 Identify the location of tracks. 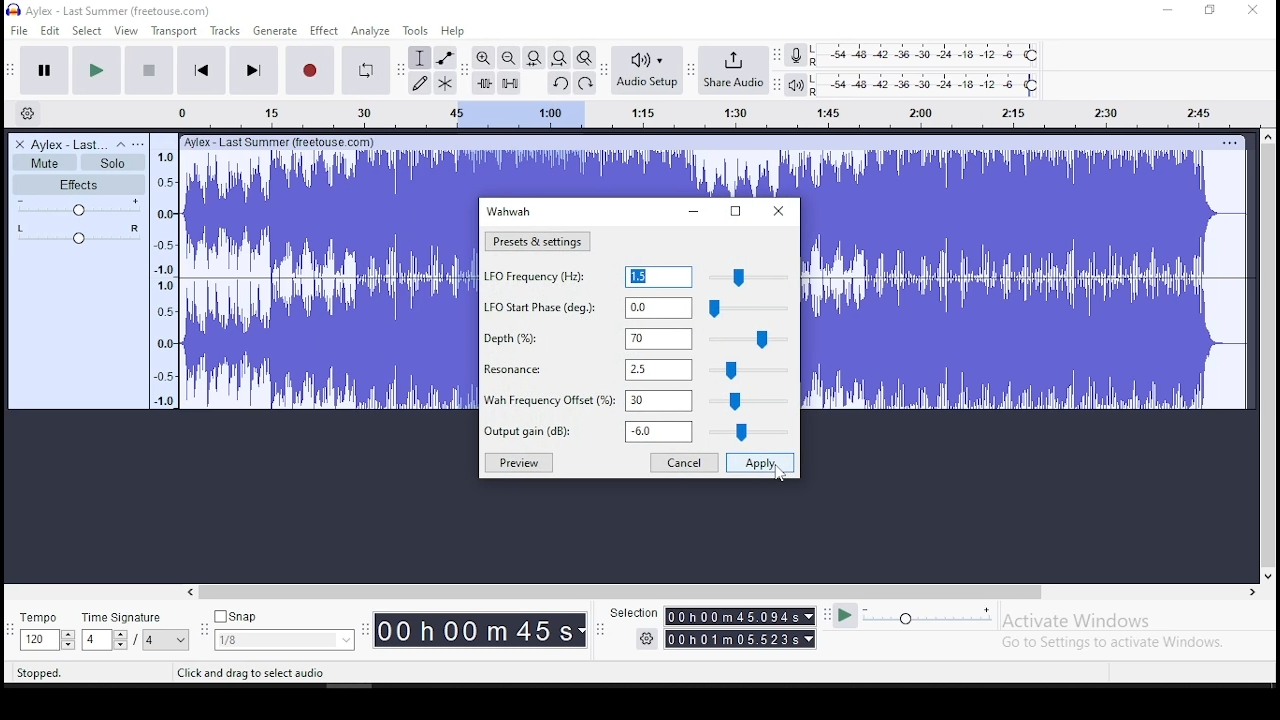
(225, 31).